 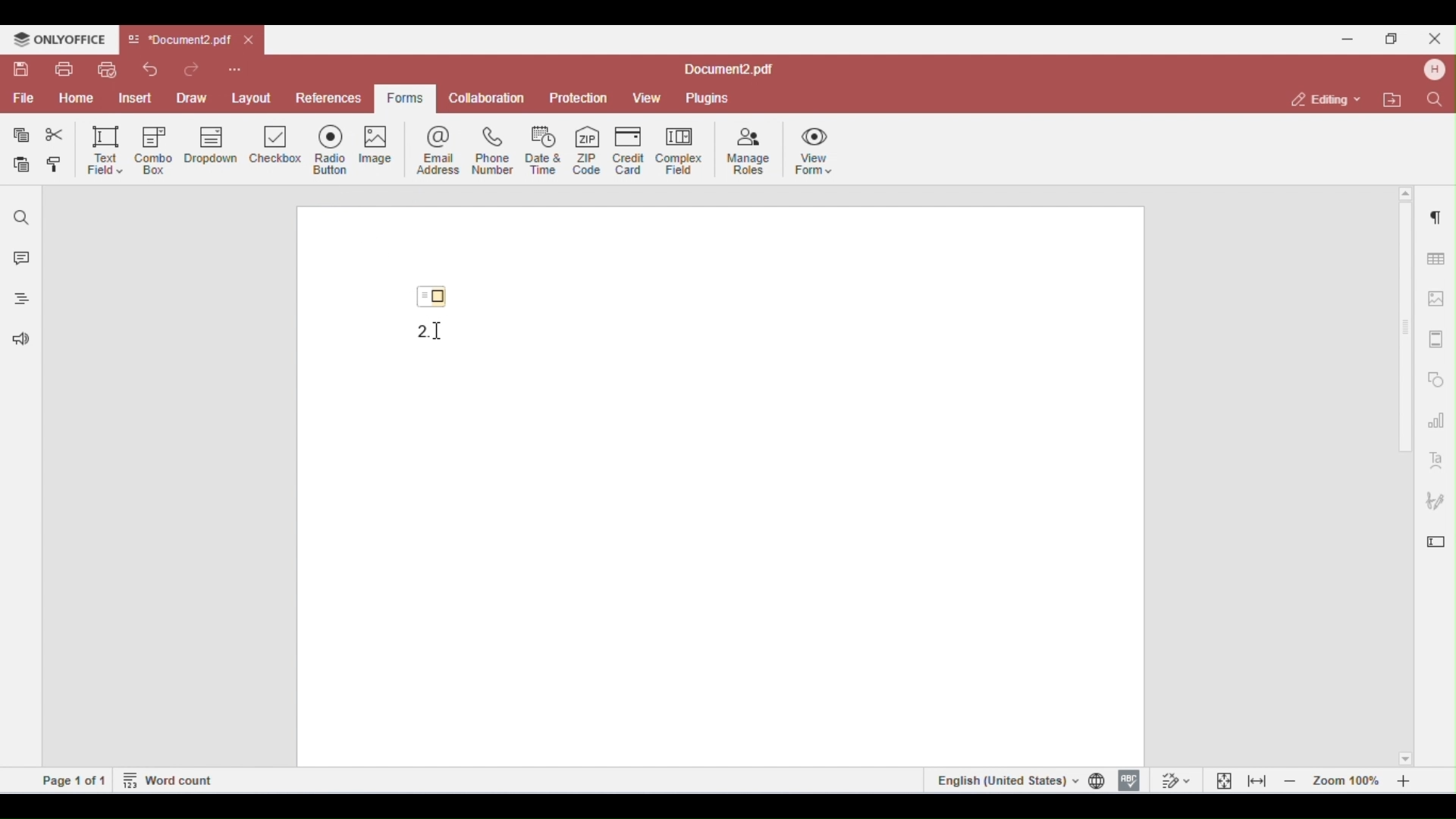 I want to click on onlyoffice, so click(x=59, y=39).